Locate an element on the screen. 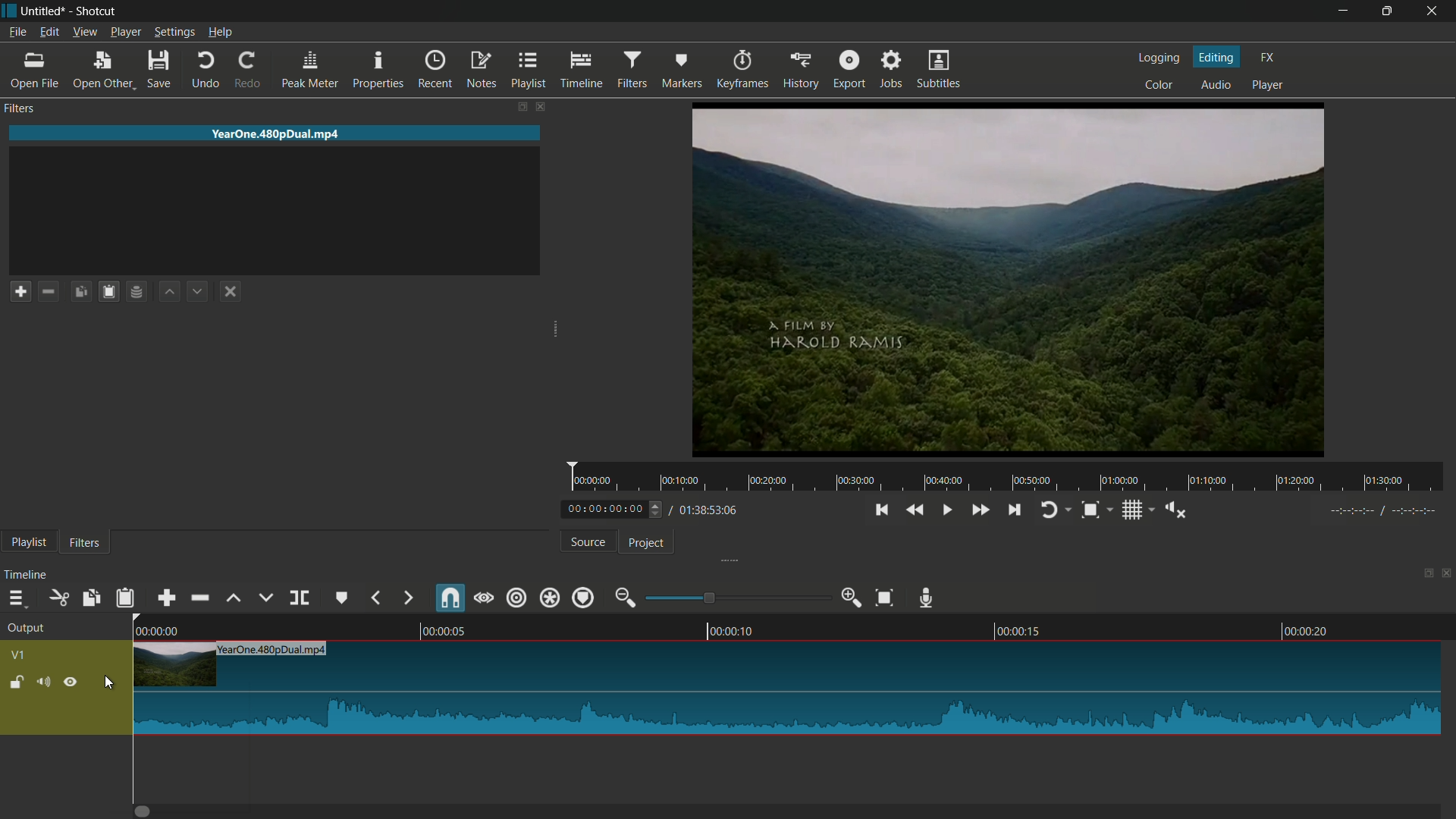 The width and height of the screenshot is (1456, 819). minimize is located at coordinates (1346, 11).